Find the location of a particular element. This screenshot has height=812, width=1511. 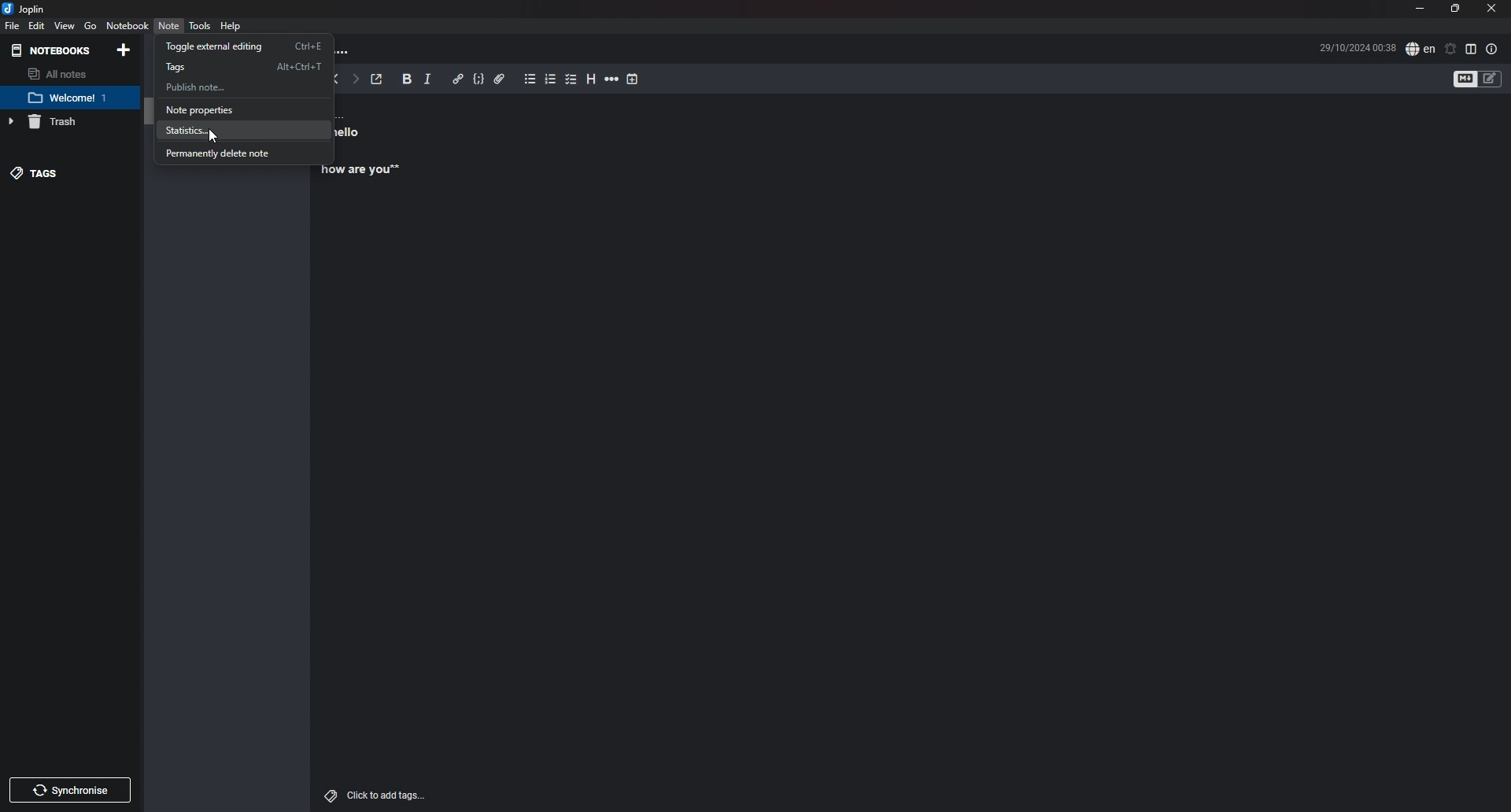

Checkbox is located at coordinates (571, 79).